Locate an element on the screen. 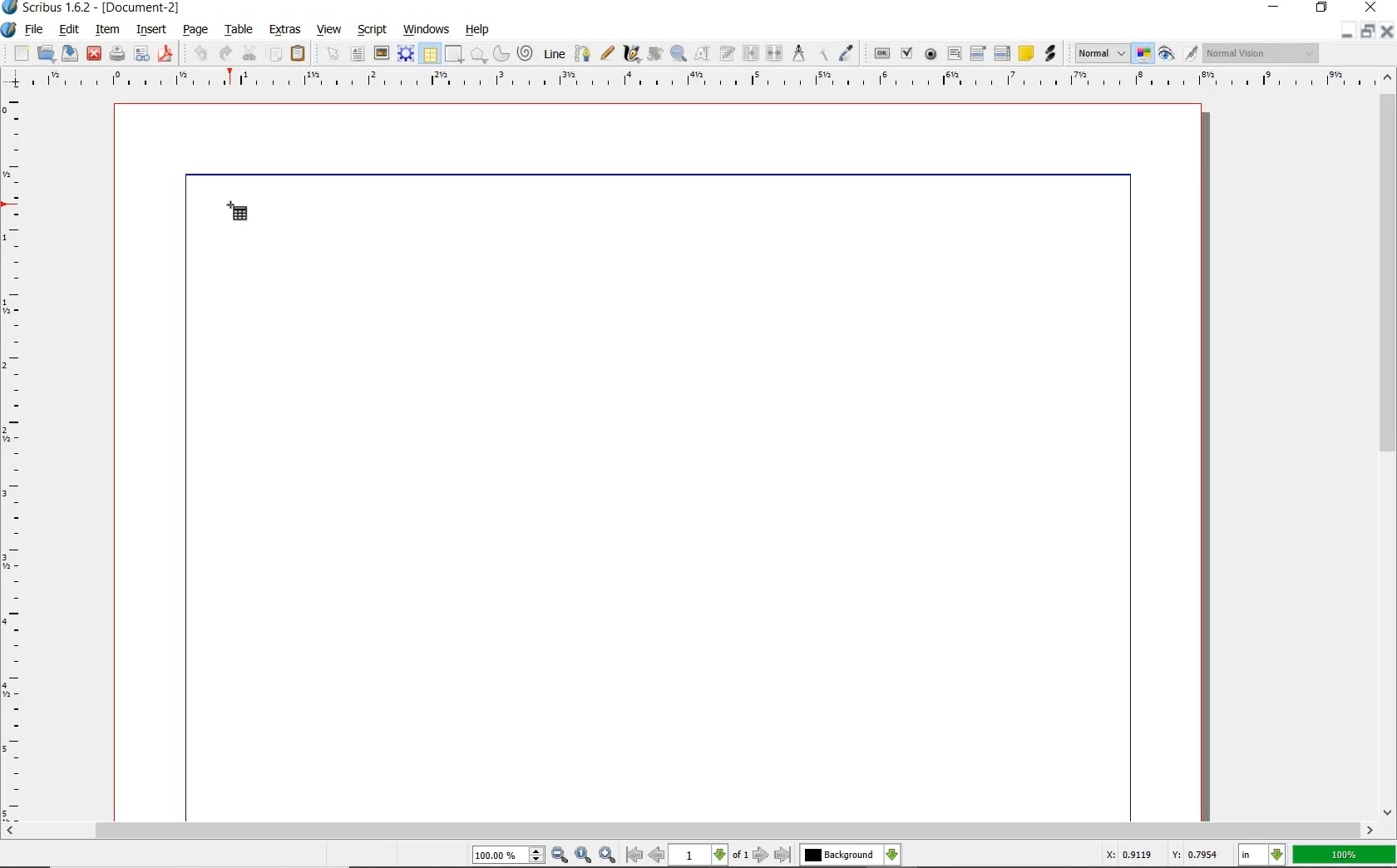 Image resolution: width=1397 pixels, height=868 pixels. render frame is located at coordinates (406, 55).